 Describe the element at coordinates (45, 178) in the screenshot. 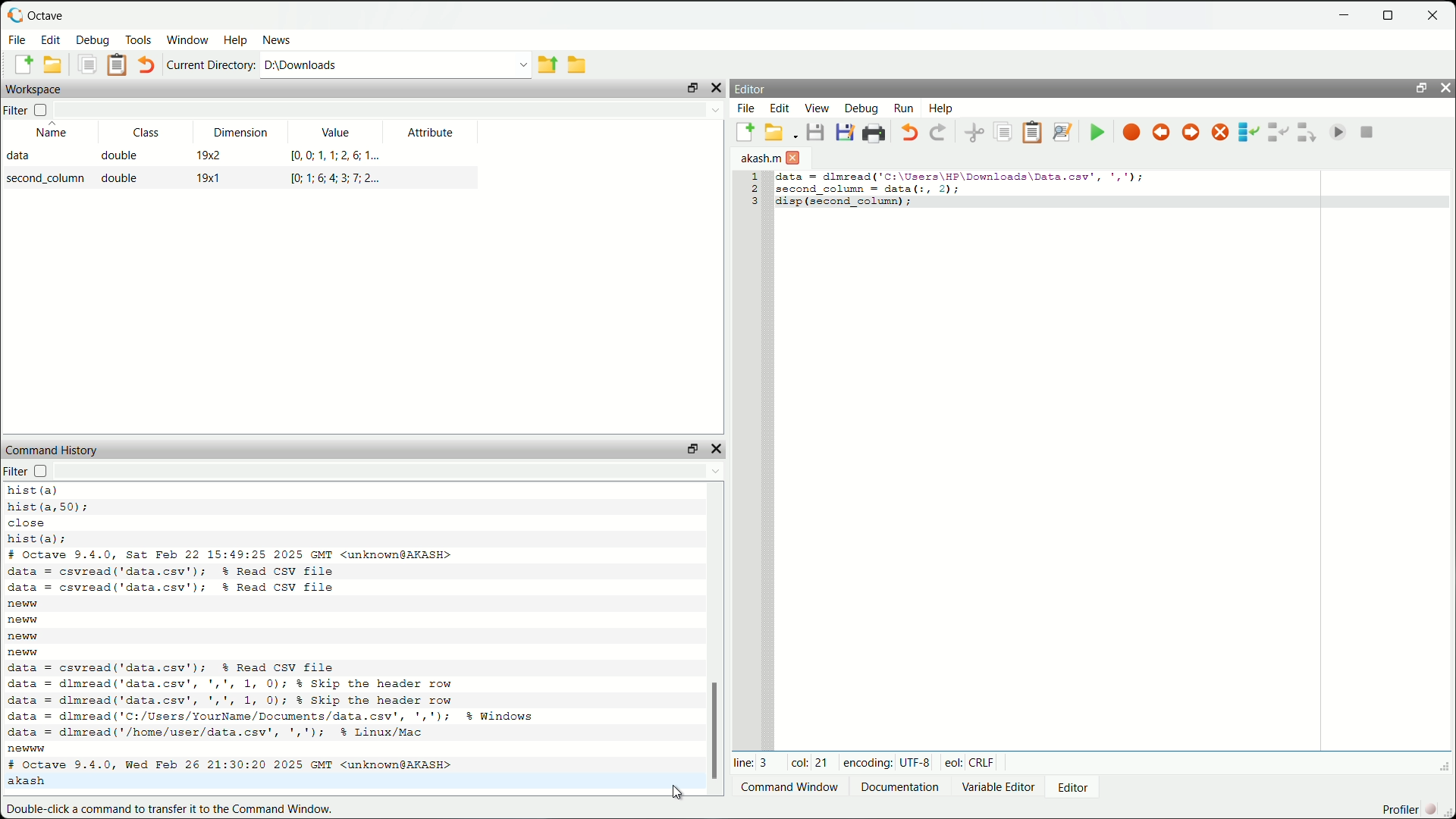

I see `second_column` at that location.